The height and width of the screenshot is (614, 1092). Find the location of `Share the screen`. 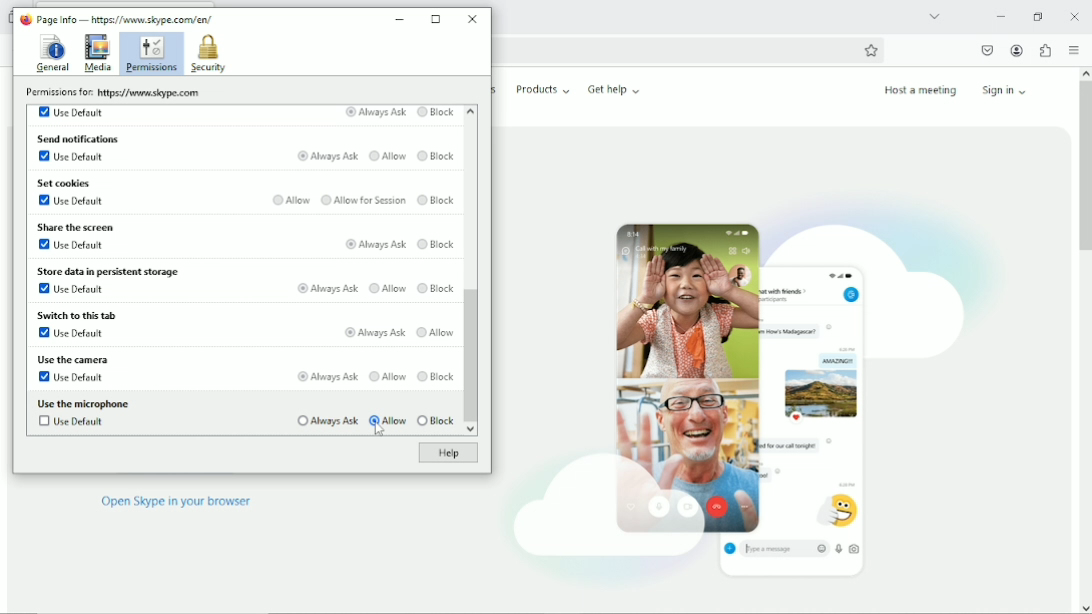

Share the screen is located at coordinates (77, 225).